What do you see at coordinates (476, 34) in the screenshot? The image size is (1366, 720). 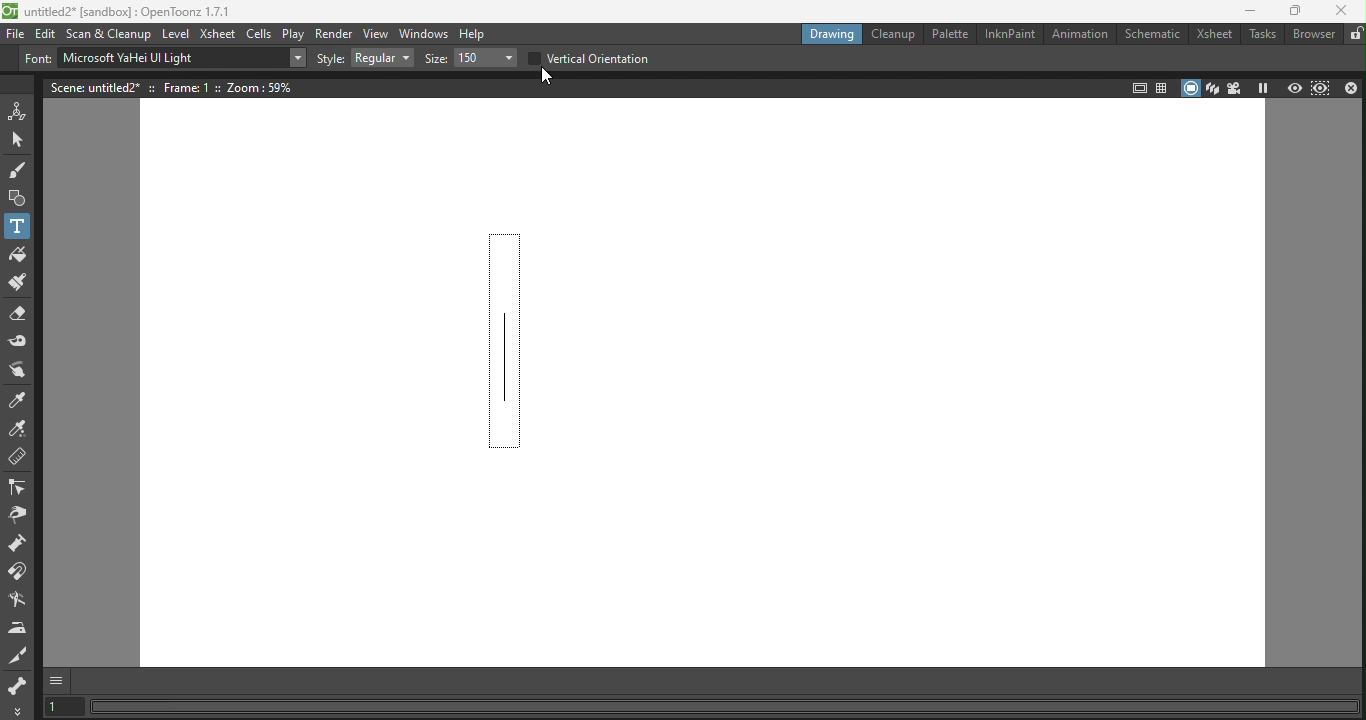 I see `Help` at bounding box center [476, 34].